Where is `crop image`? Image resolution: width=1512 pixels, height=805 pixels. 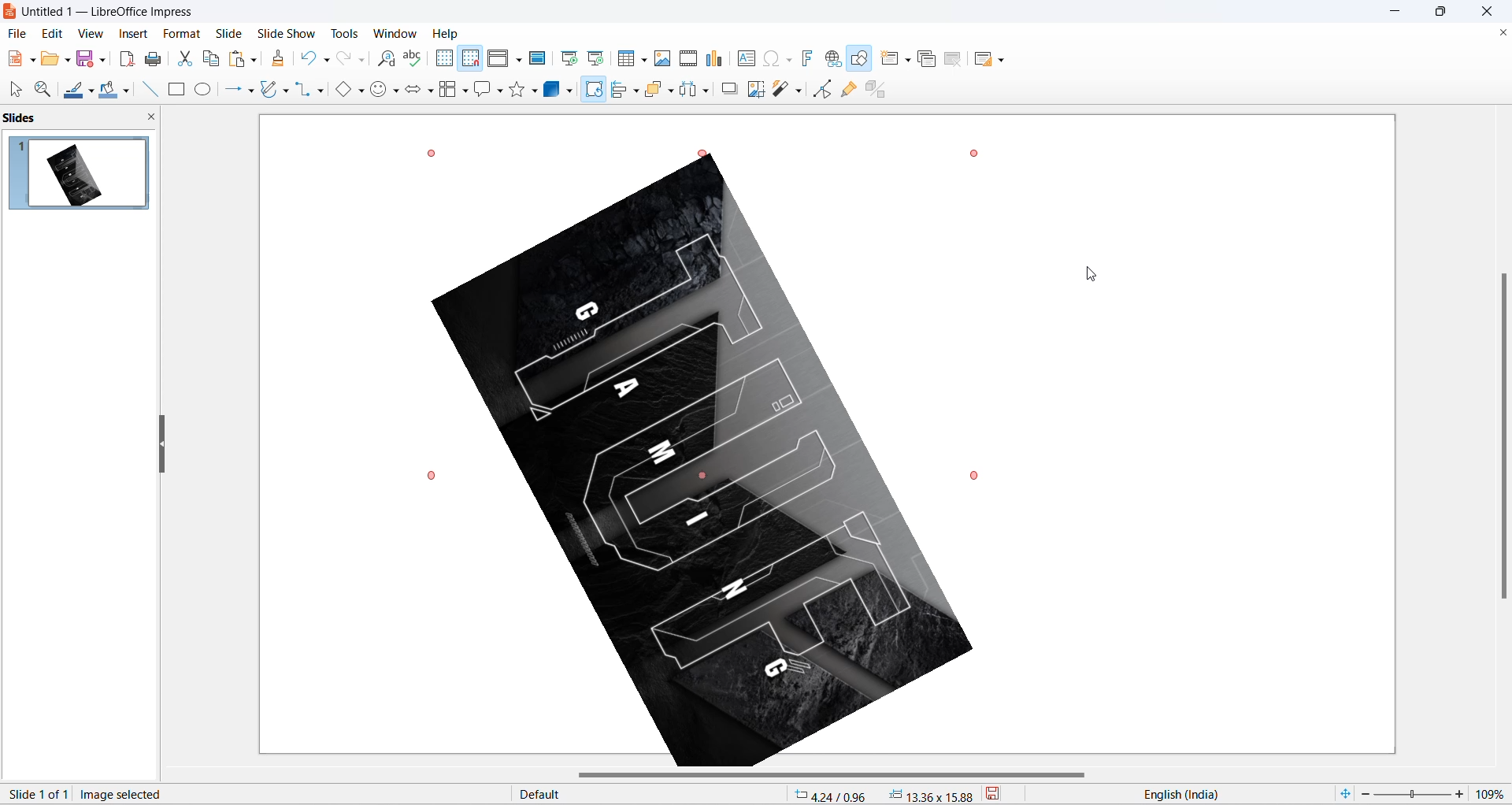 crop image is located at coordinates (754, 90).